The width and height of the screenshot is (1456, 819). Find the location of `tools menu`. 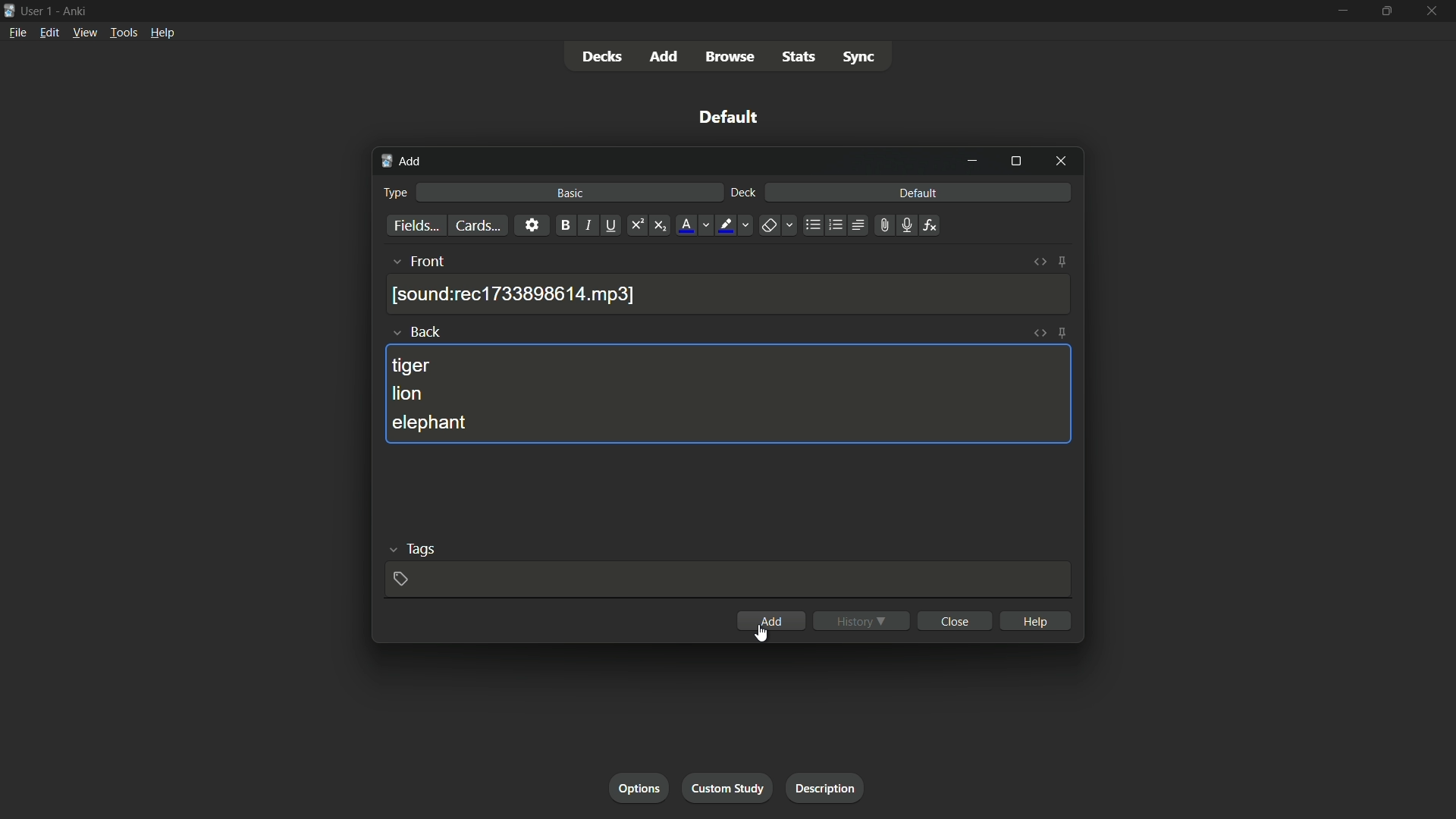

tools menu is located at coordinates (124, 33).